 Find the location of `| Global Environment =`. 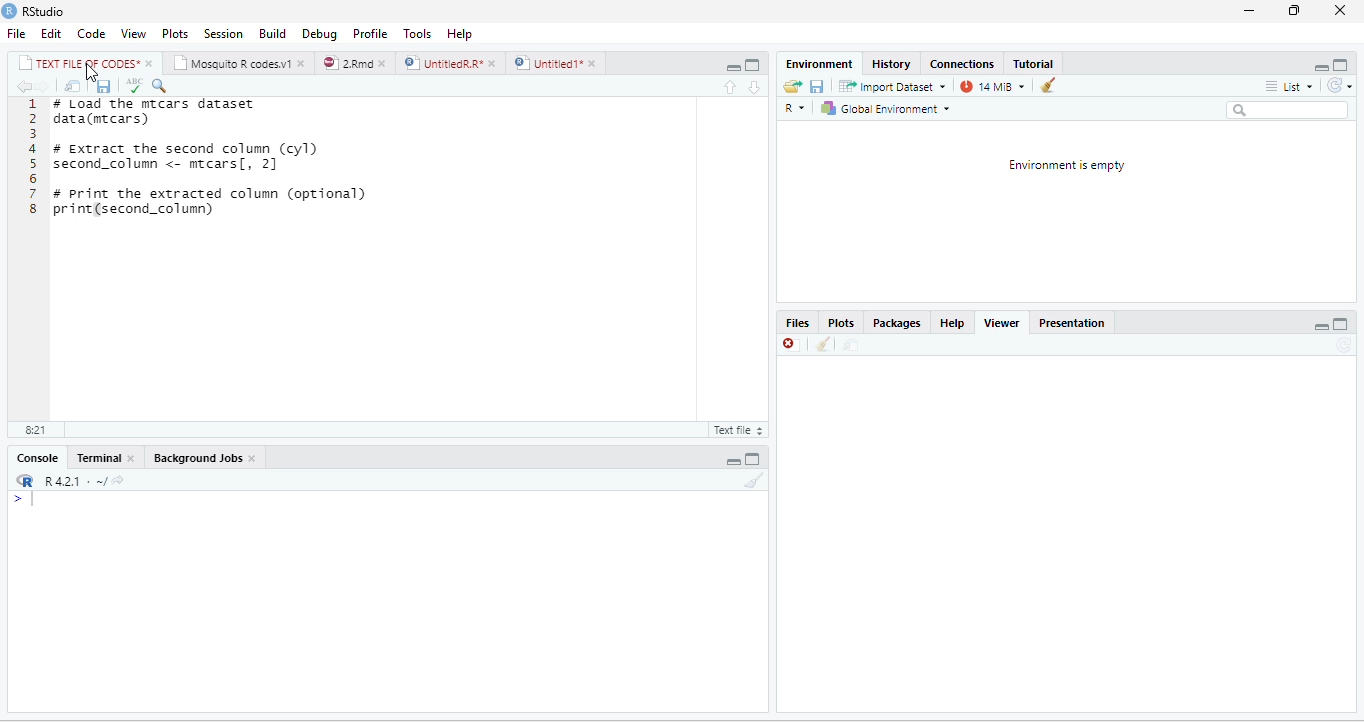

| Global Environment = is located at coordinates (885, 108).